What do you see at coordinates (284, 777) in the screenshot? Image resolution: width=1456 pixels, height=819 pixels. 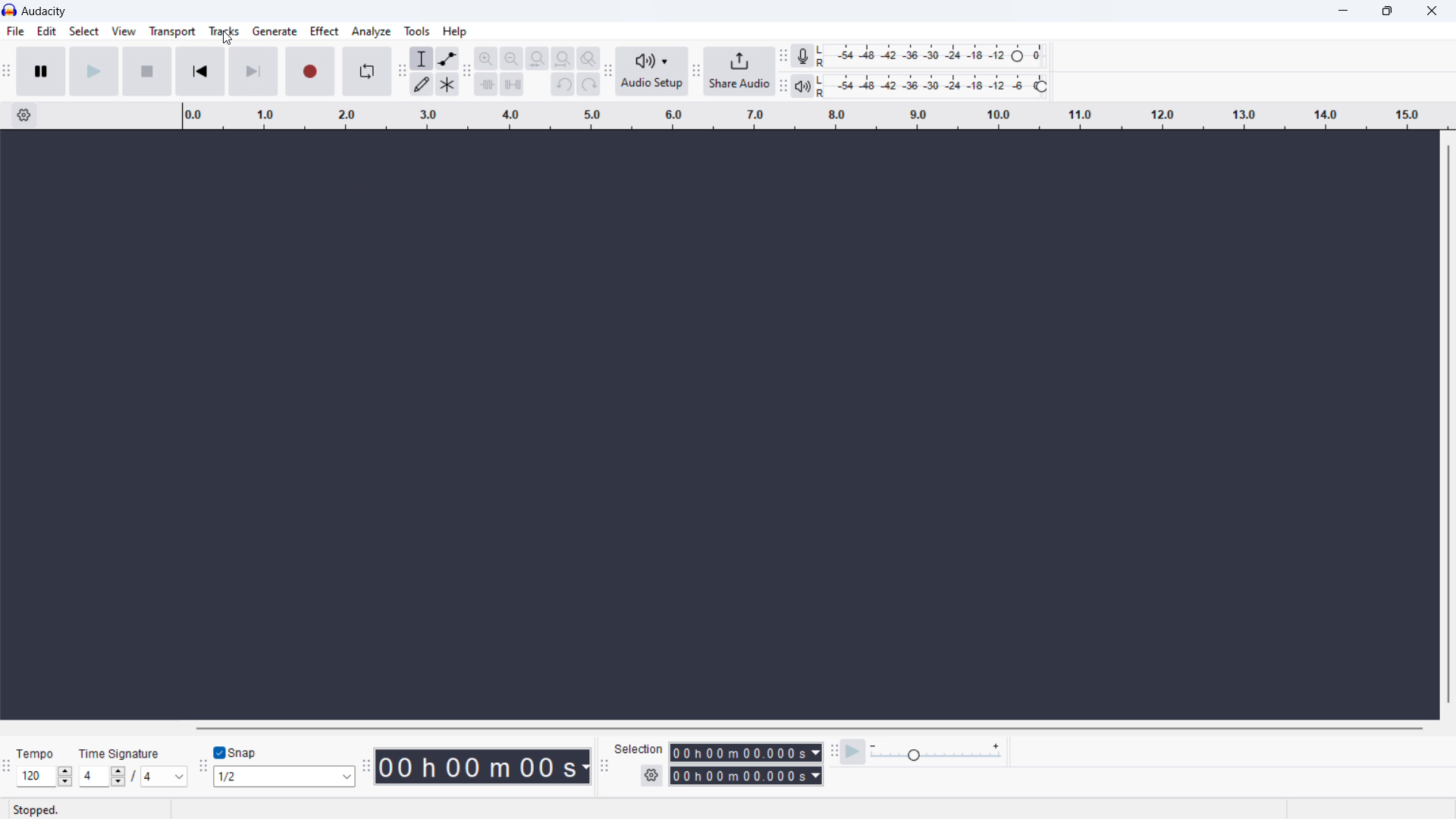 I see `select snapping` at bounding box center [284, 777].